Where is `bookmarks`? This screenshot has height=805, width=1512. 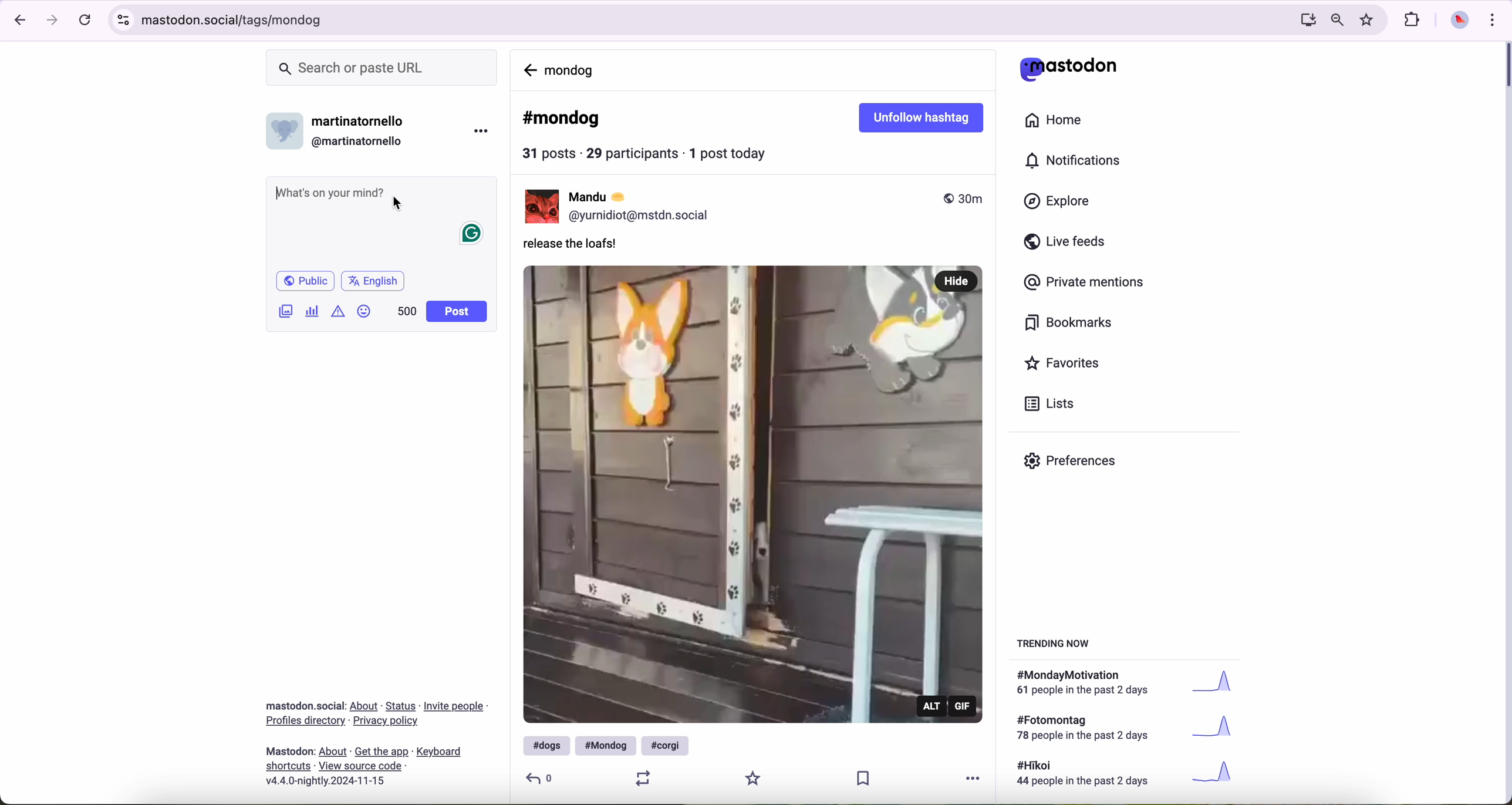 bookmarks is located at coordinates (1069, 323).